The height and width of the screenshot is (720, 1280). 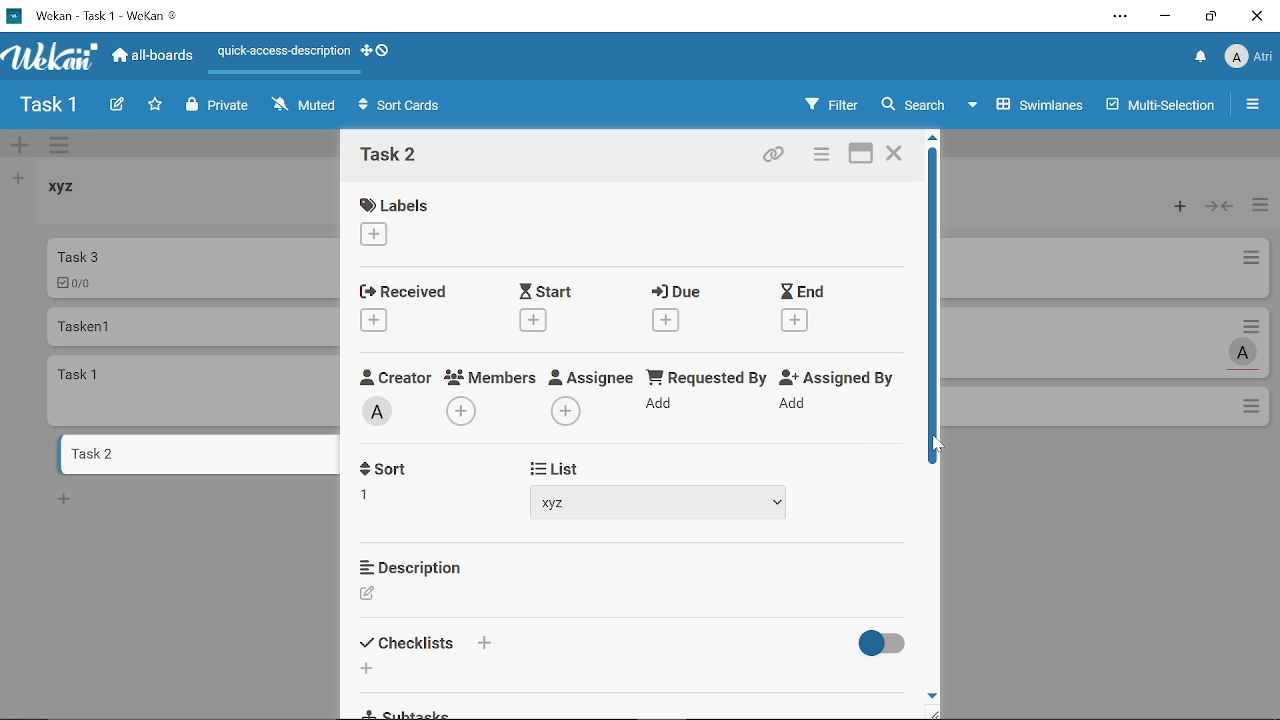 What do you see at coordinates (192, 326) in the screenshot?
I see `Card named "Tasken 1"` at bounding box center [192, 326].